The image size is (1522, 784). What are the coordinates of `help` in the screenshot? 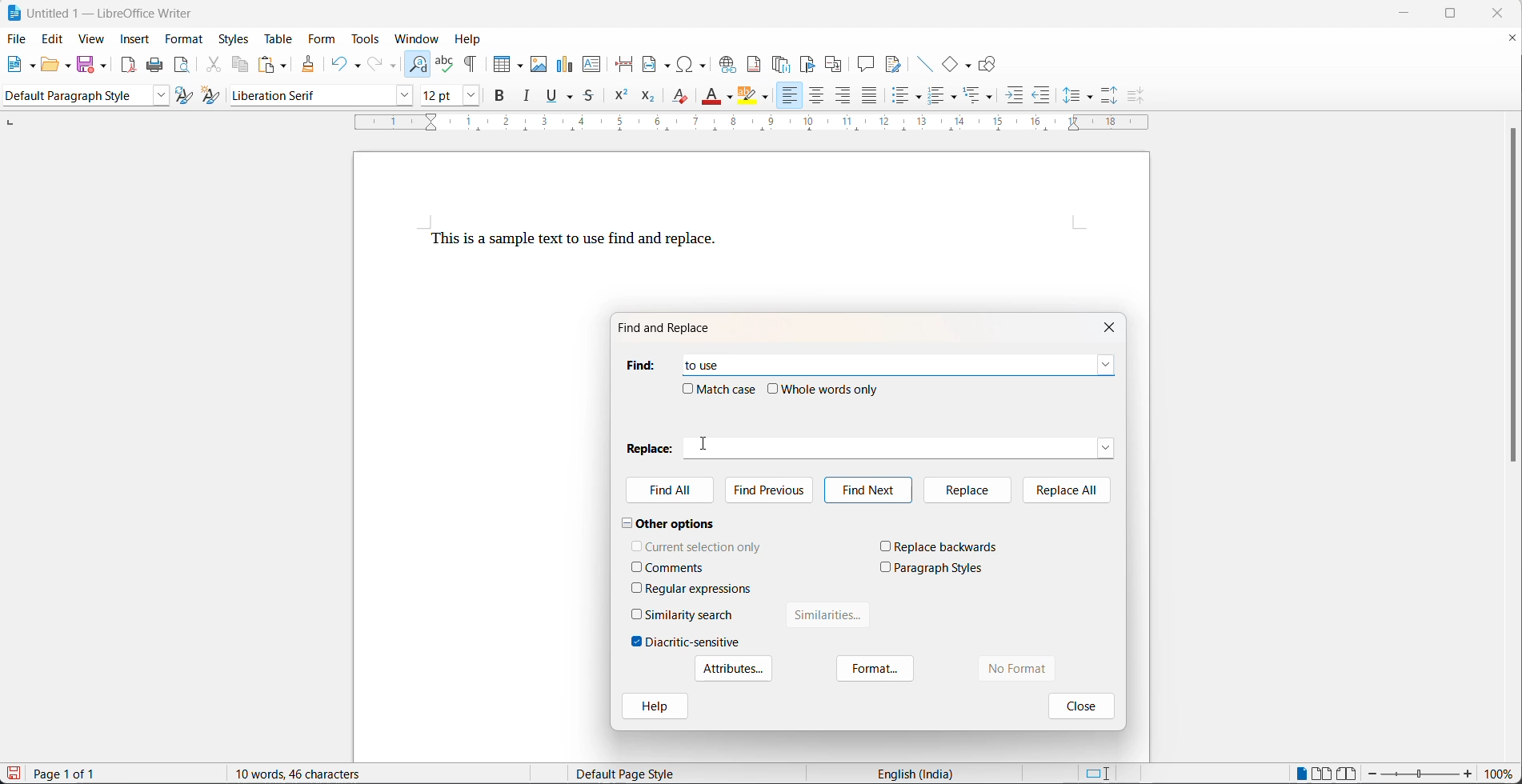 It's located at (654, 708).